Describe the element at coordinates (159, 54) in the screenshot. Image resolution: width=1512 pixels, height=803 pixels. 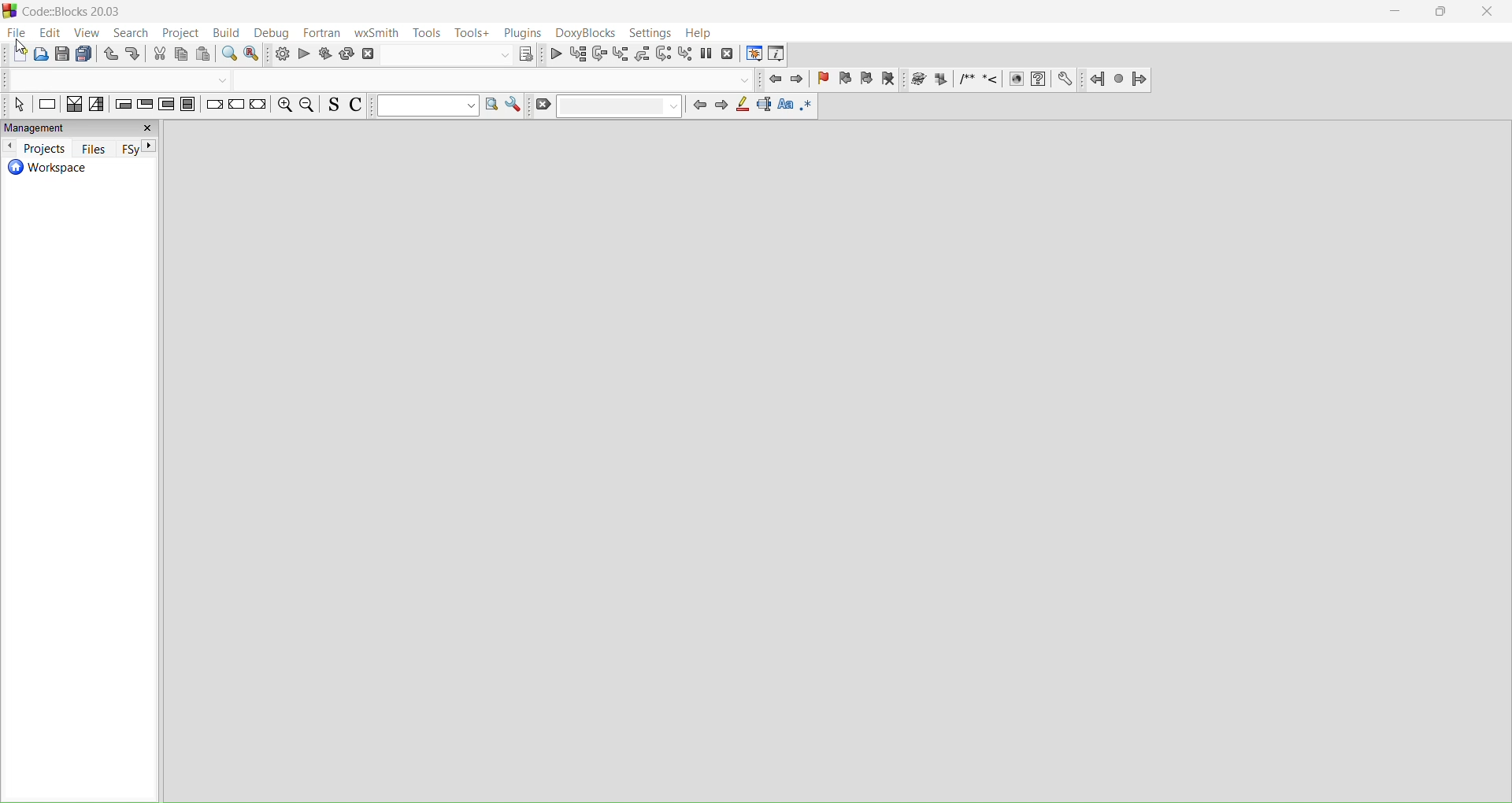
I see `cut` at that location.